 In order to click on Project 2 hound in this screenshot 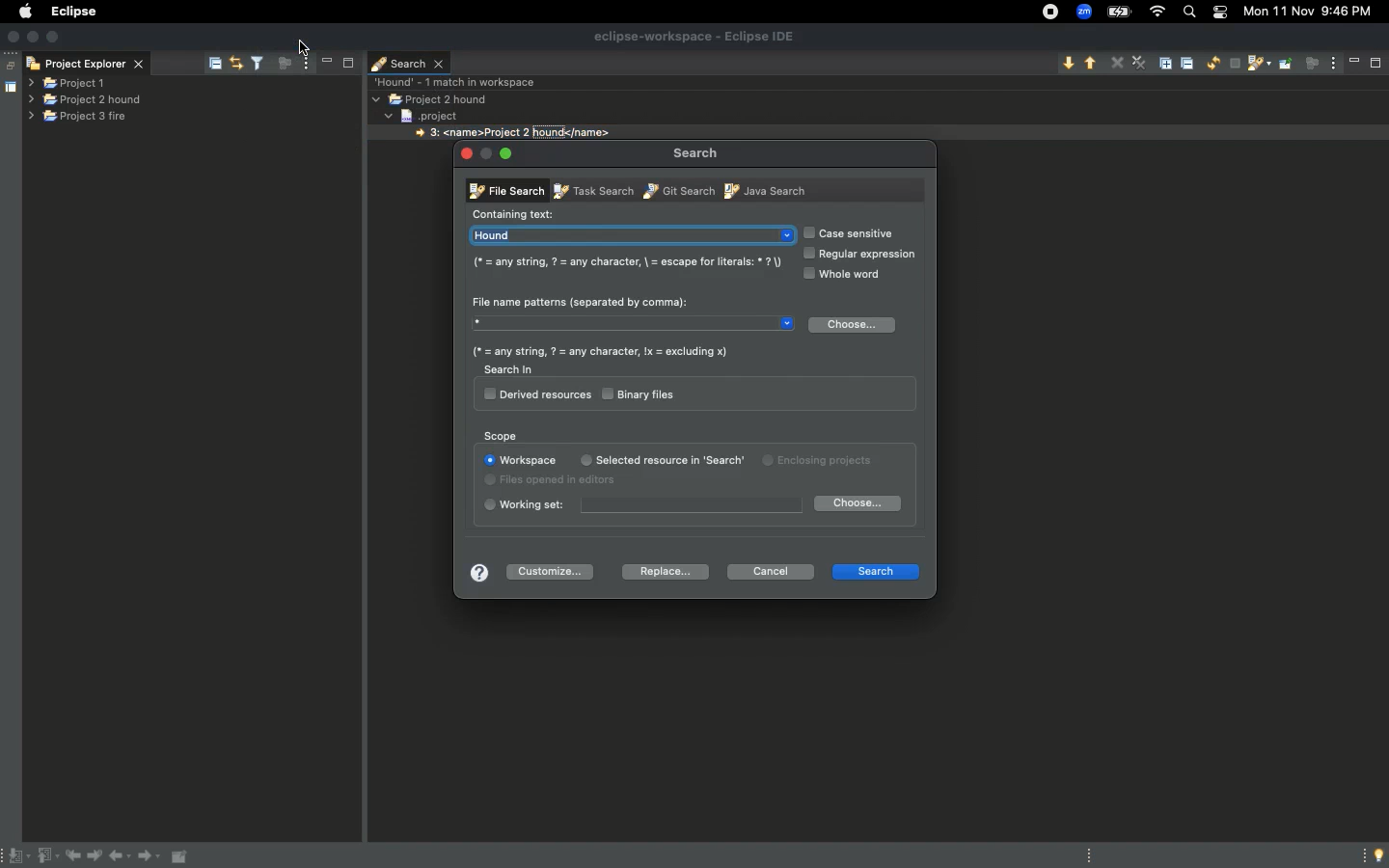, I will do `click(88, 100)`.